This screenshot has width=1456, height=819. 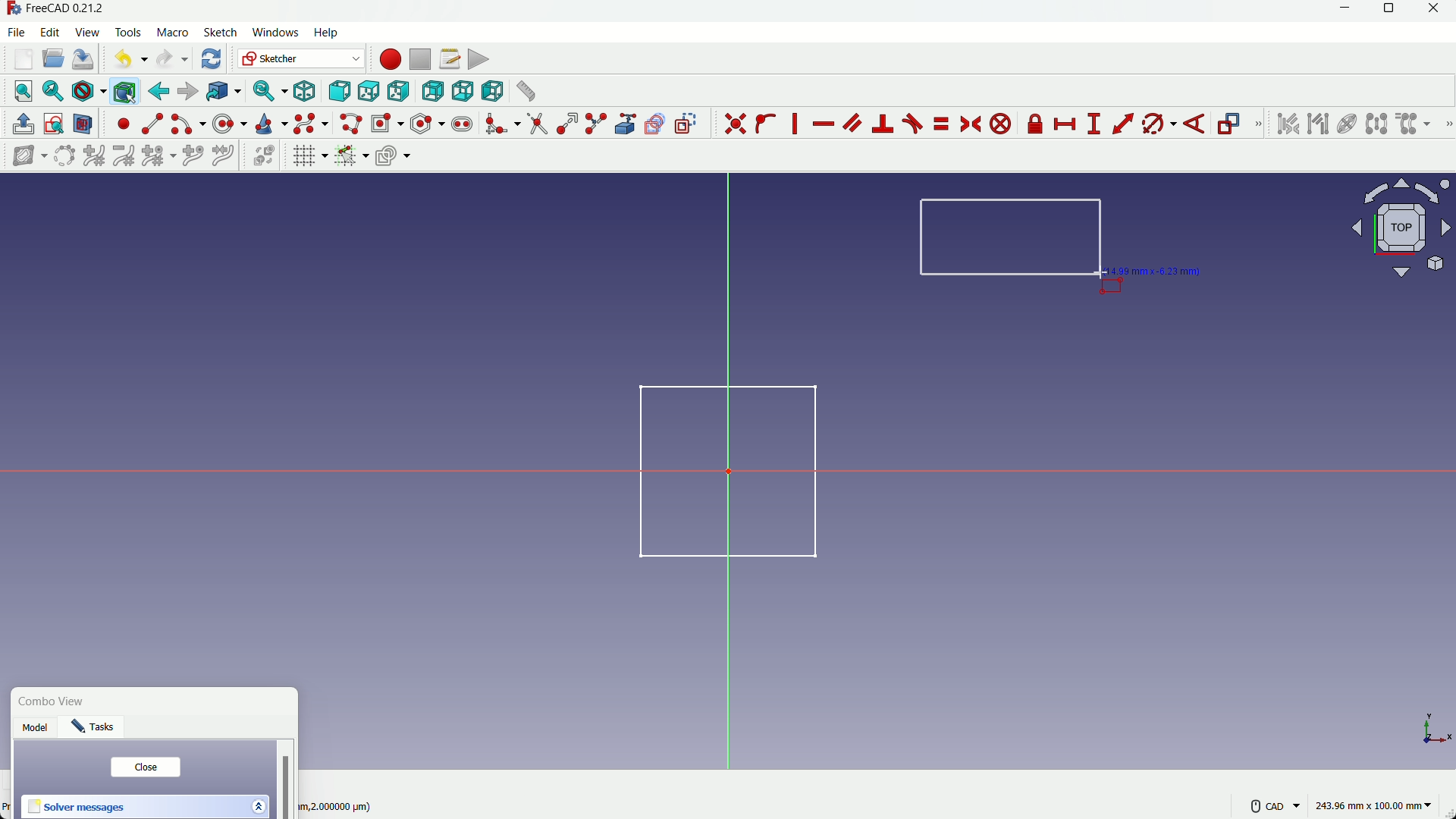 I want to click on constraint angle, so click(x=1196, y=125).